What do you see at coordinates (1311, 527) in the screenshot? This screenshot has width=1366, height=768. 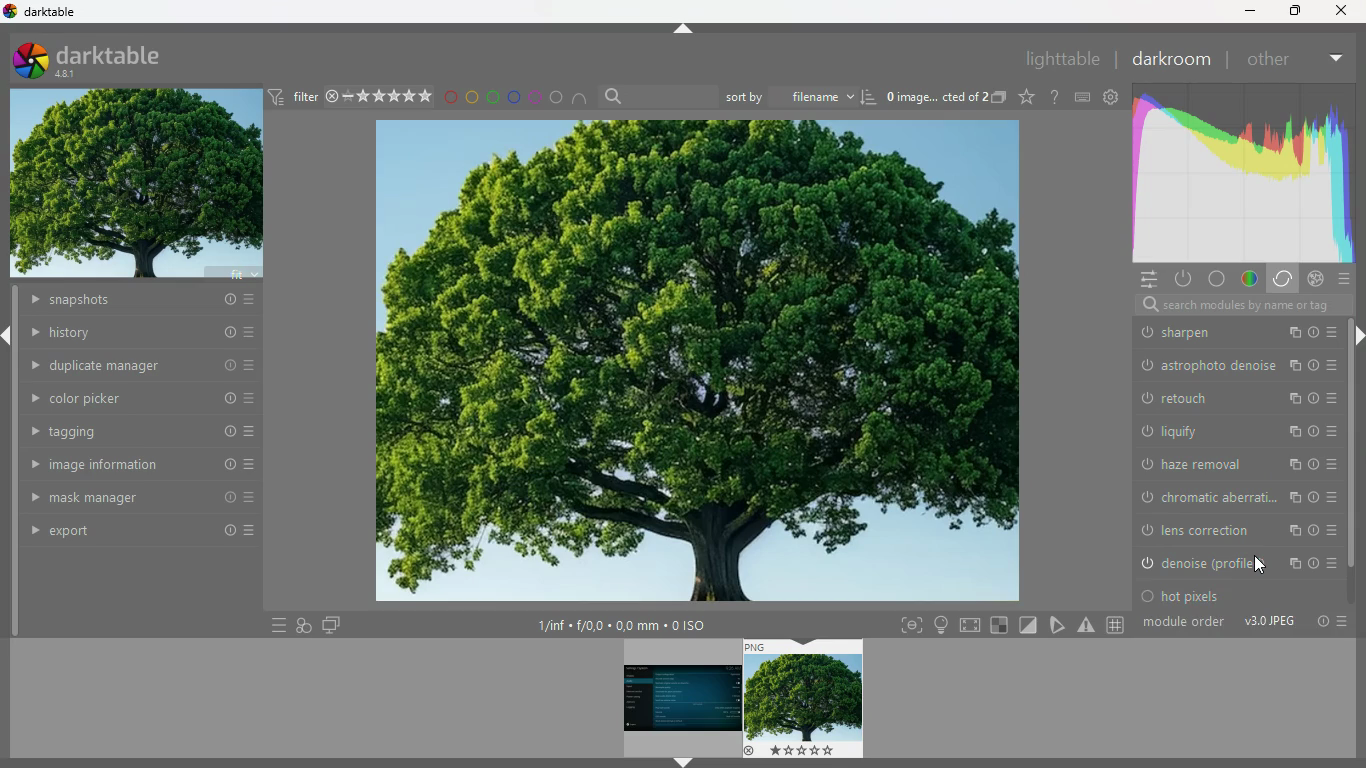 I see `more` at bounding box center [1311, 527].